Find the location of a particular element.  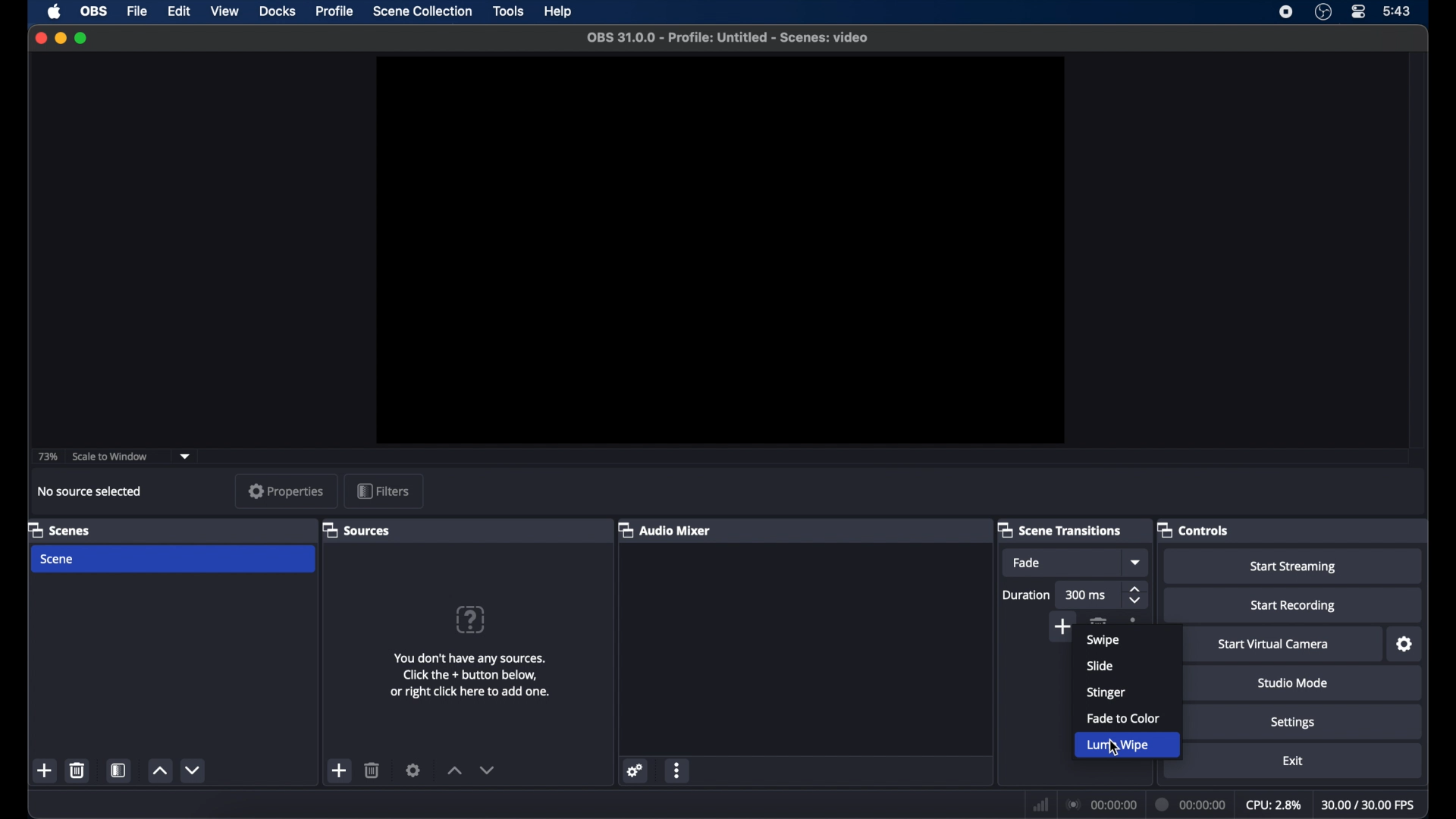

preview is located at coordinates (722, 251).